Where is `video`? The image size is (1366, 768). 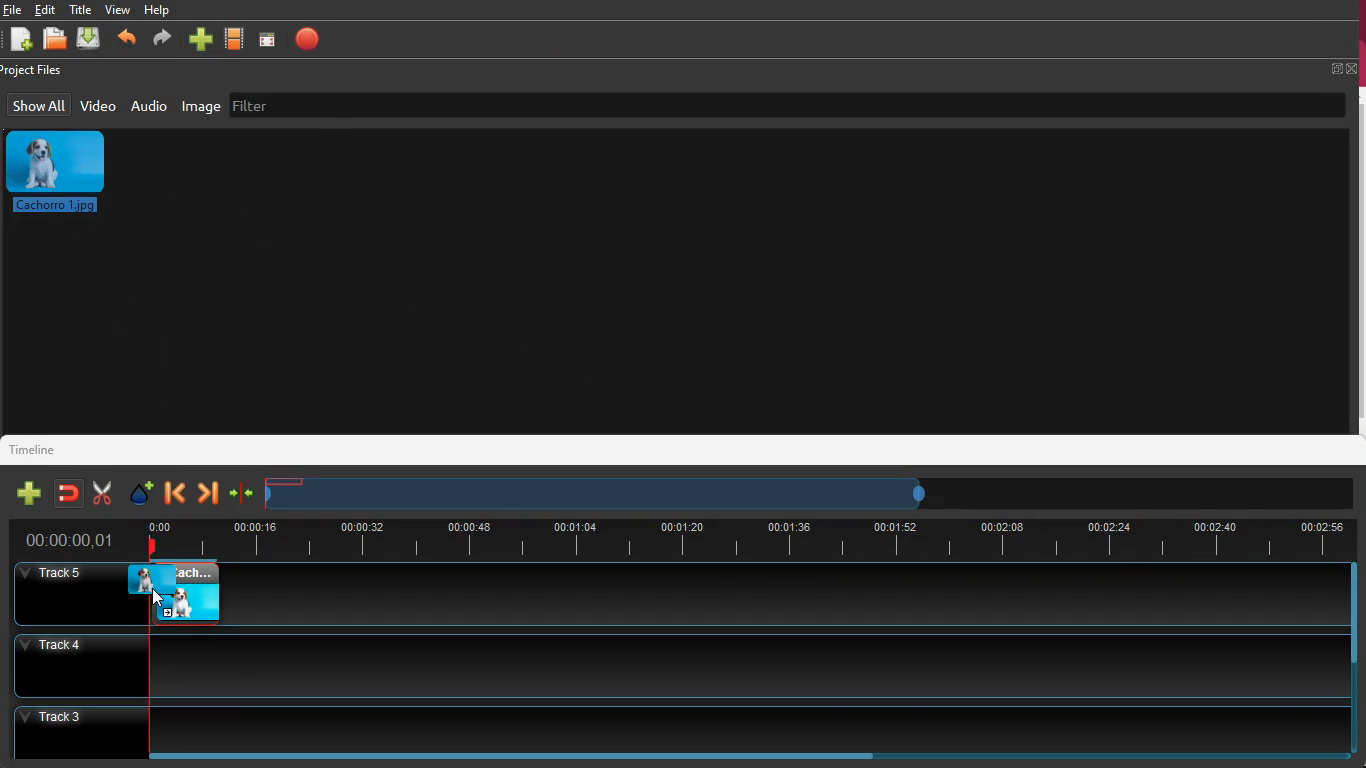
video is located at coordinates (99, 105).